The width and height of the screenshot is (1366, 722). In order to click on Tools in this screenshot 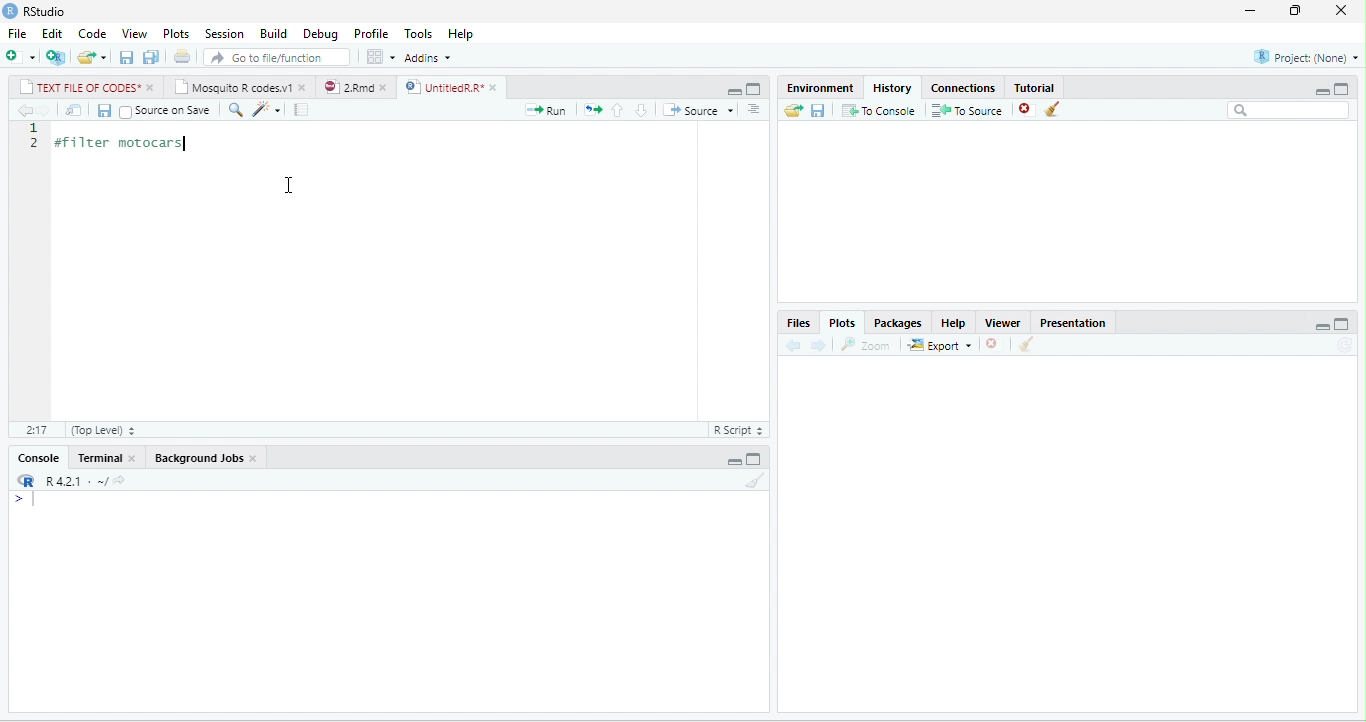, I will do `click(418, 34)`.